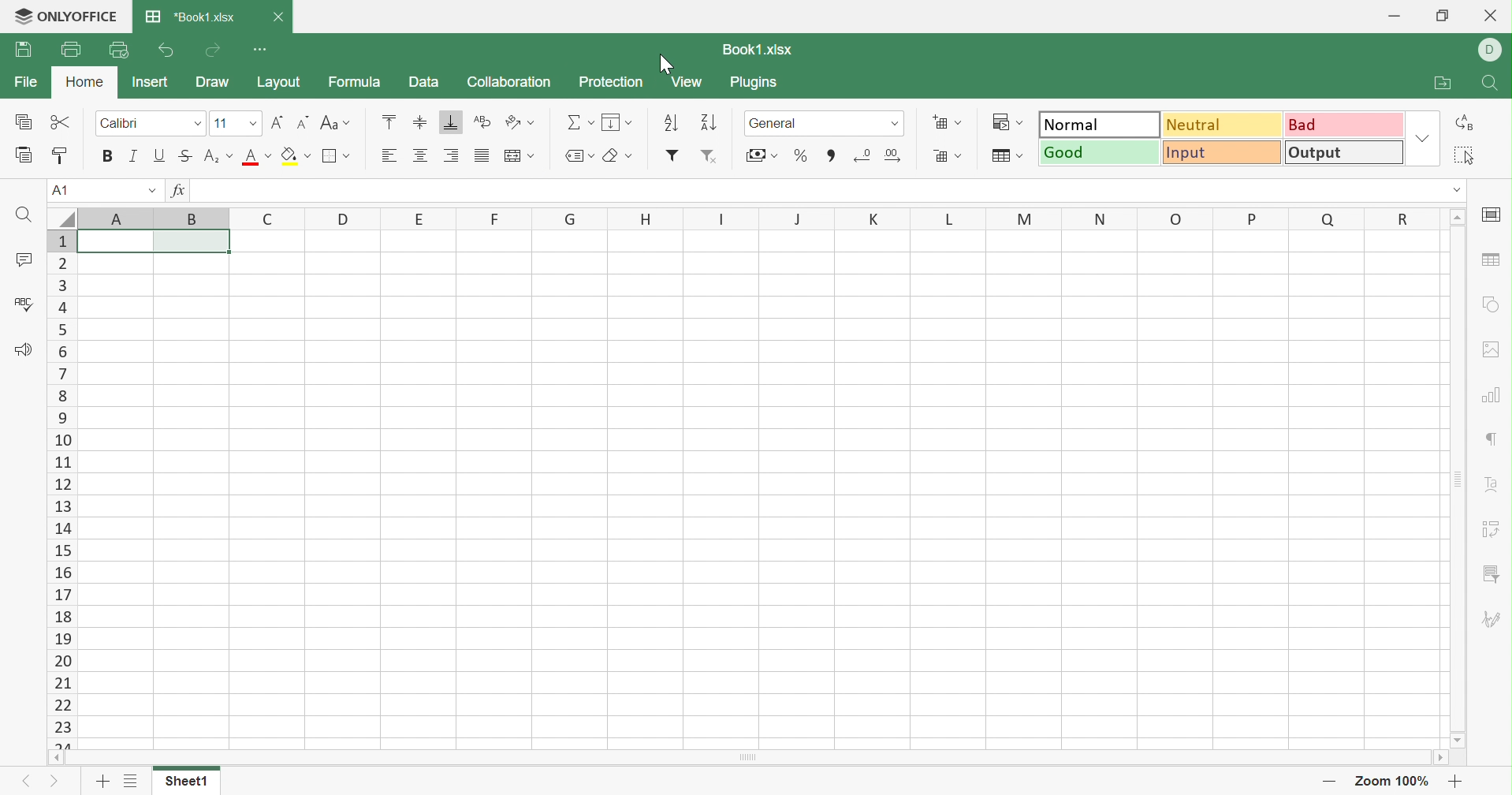  Describe the element at coordinates (186, 157) in the screenshot. I see `Strikethrough` at that location.